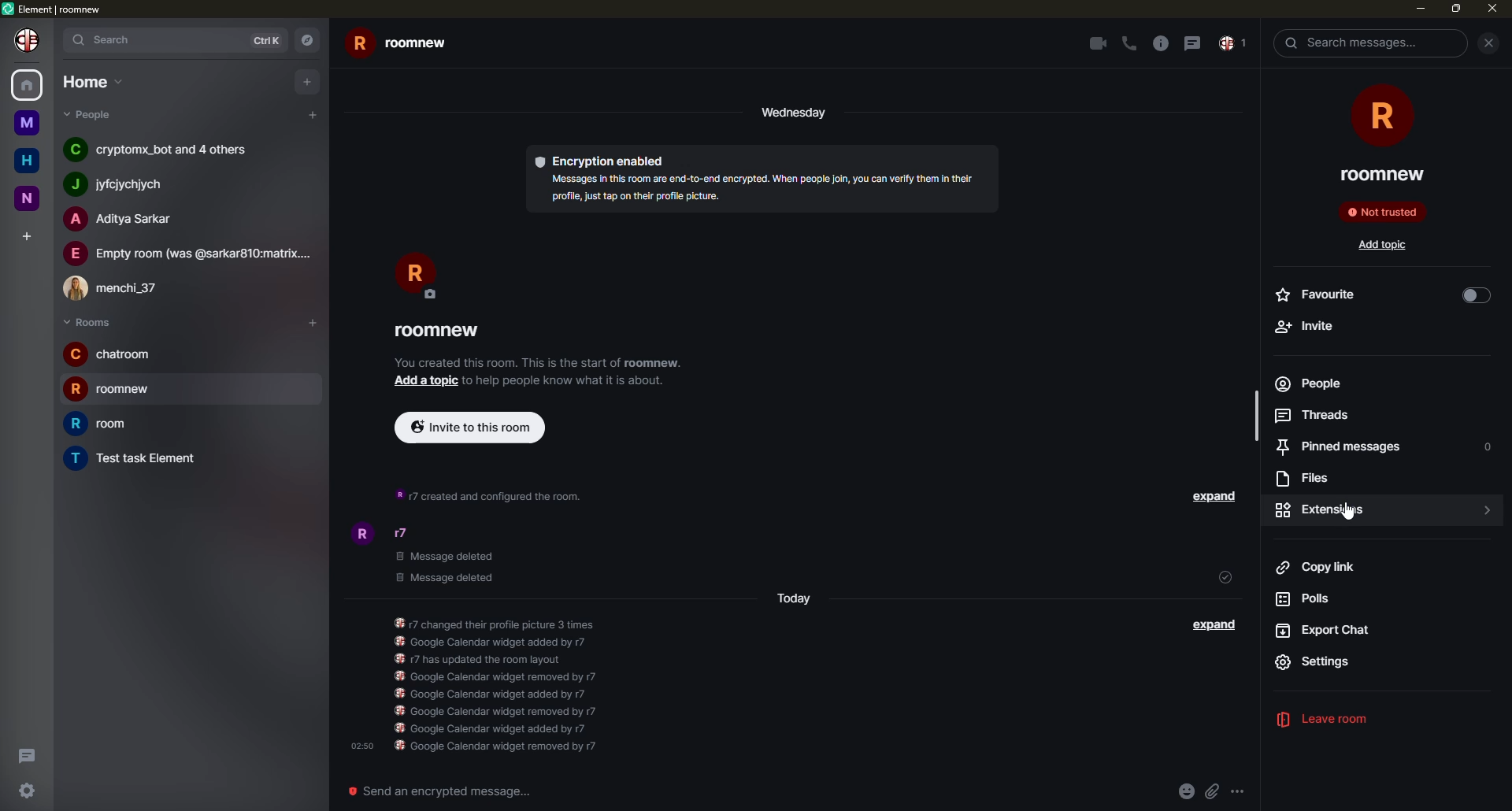 This screenshot has width=1512, height=811. Describe the element at coordinates (448, 792) in the screenshot. I see `send an emergency message` at that location.